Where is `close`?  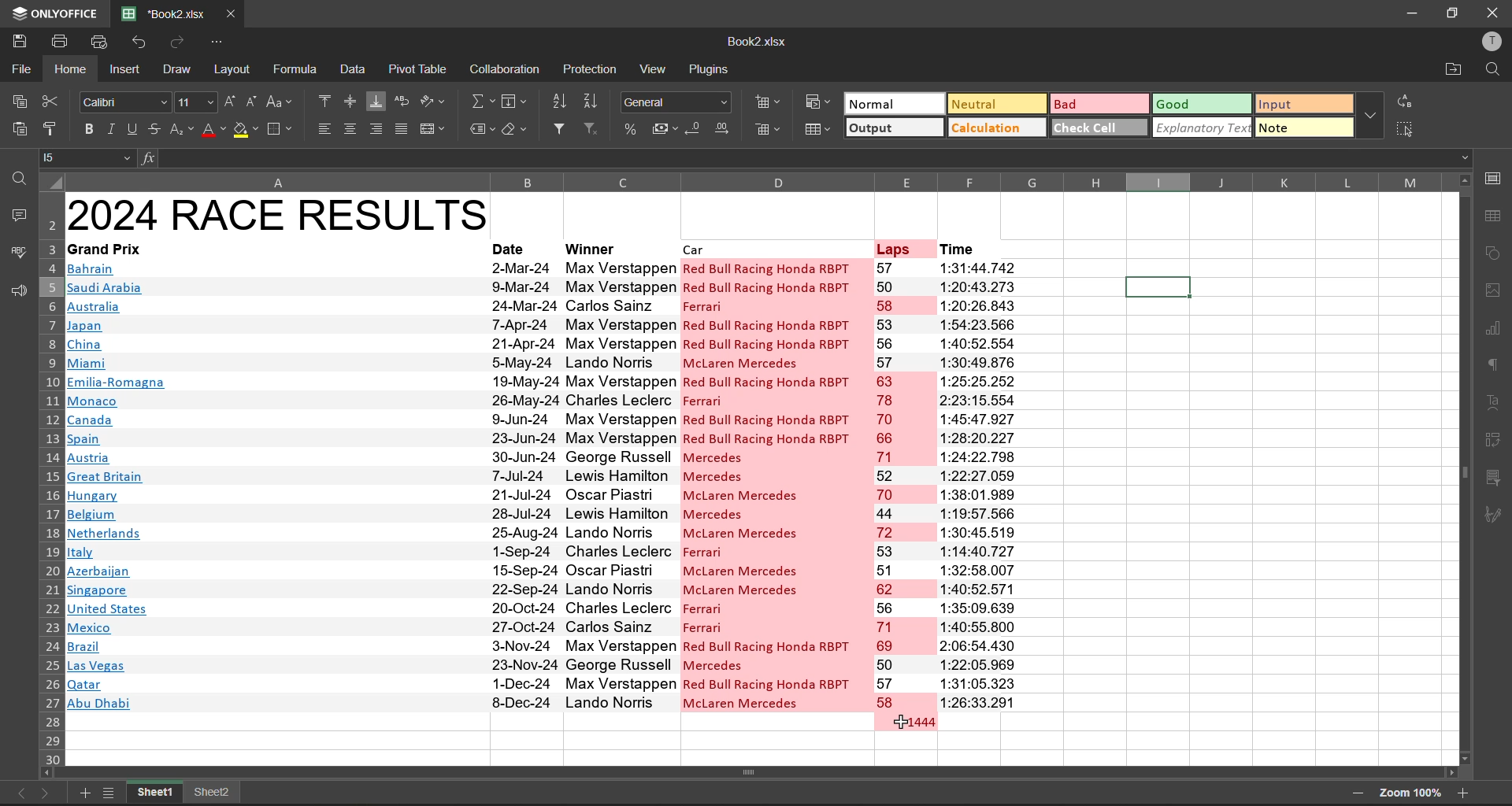
close is located at coordinates (1494, 12).